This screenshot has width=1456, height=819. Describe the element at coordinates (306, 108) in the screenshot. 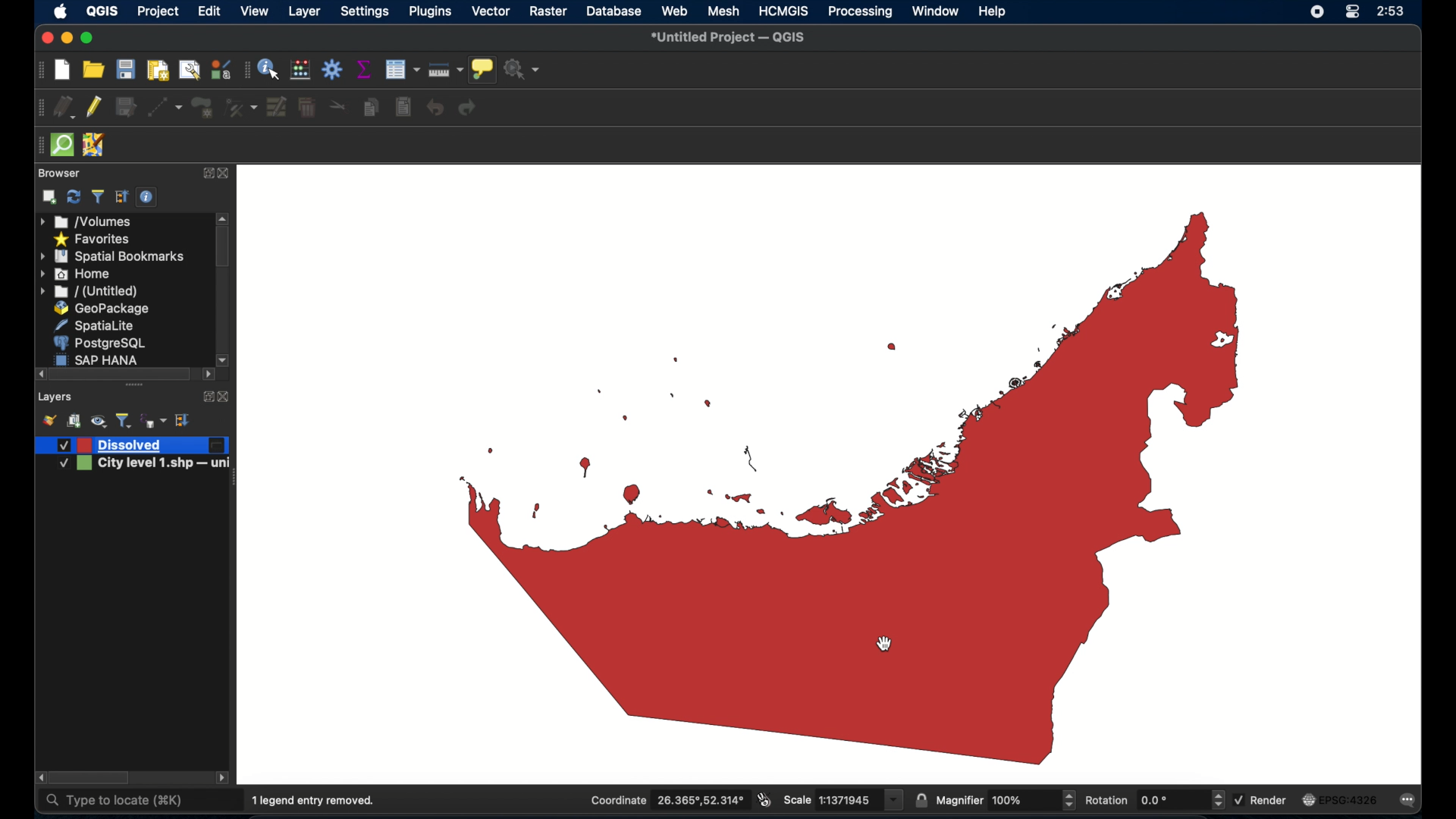

I see `delete selected` at that location.